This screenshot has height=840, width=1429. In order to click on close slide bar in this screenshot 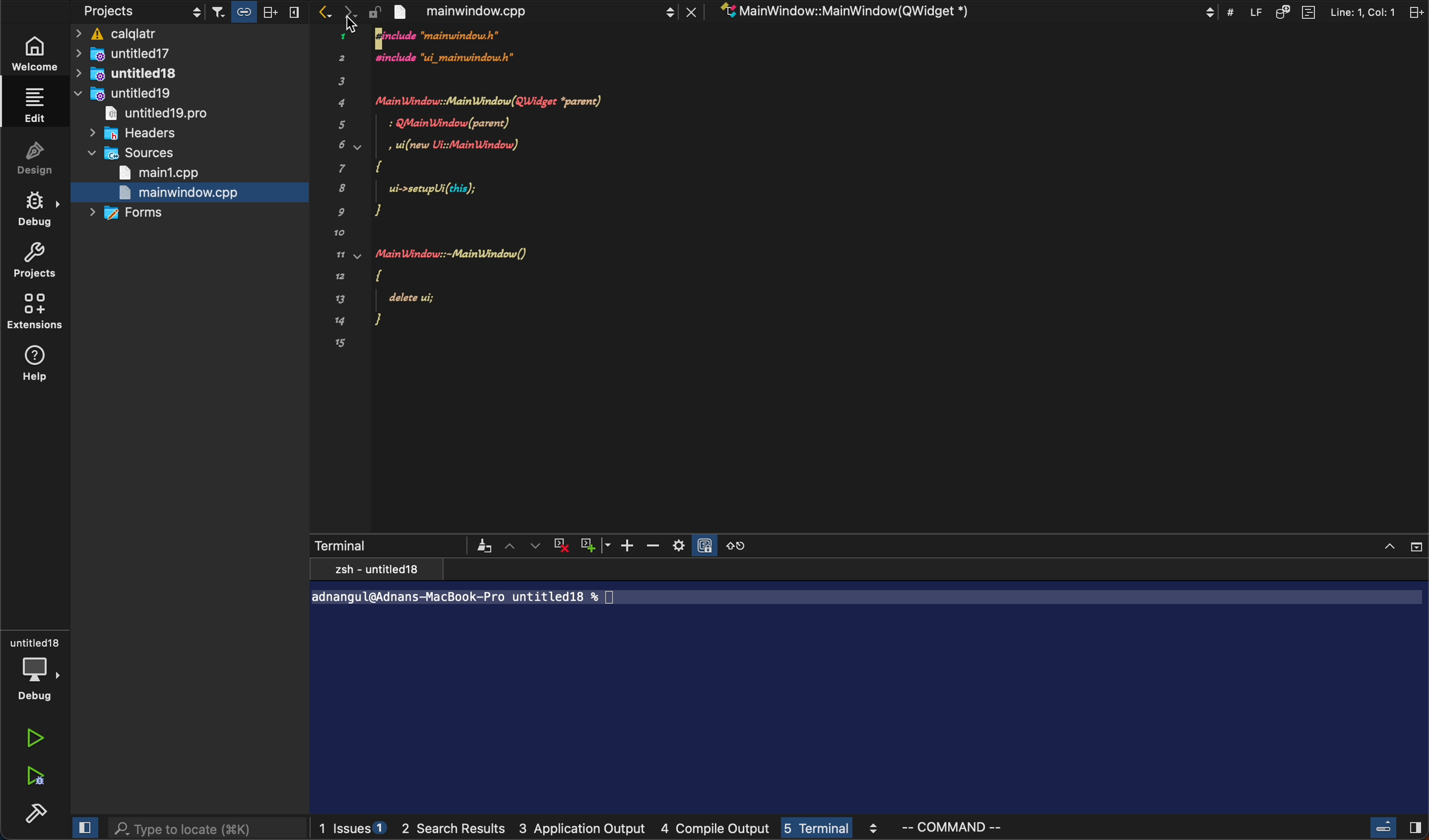, I will do `click(1394, 826)`.